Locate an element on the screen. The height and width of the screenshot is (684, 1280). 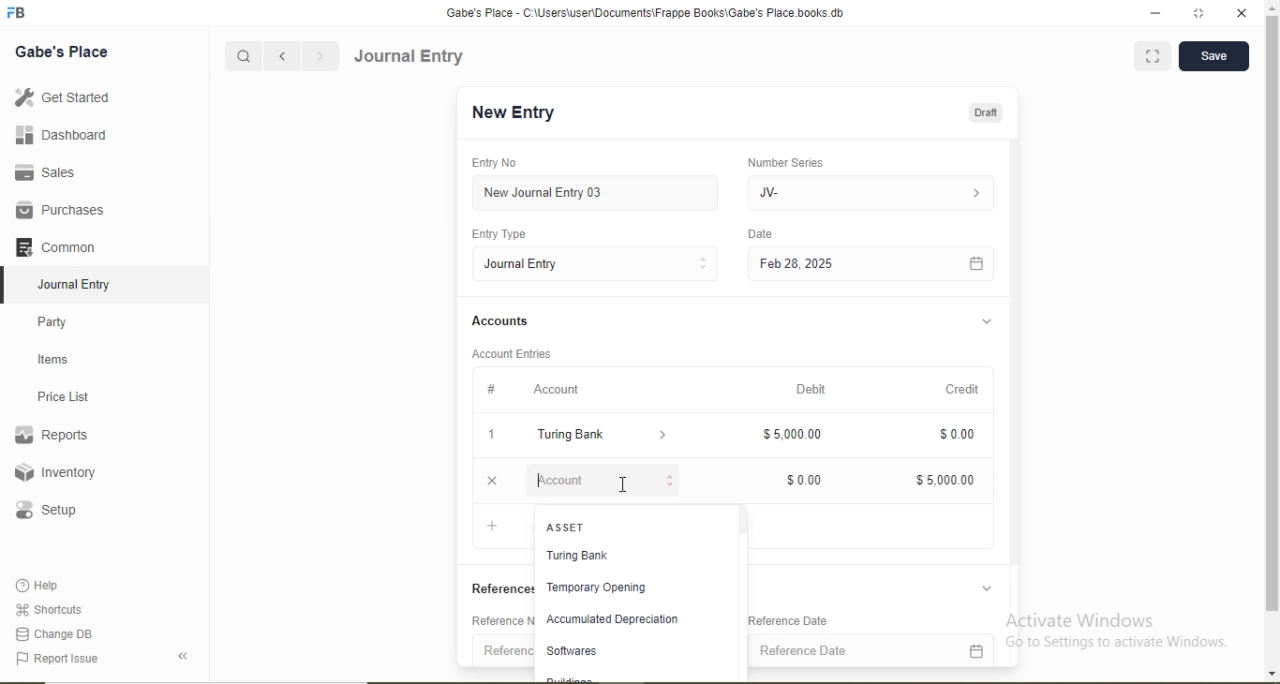
Back is located at coordinates (182, 656).